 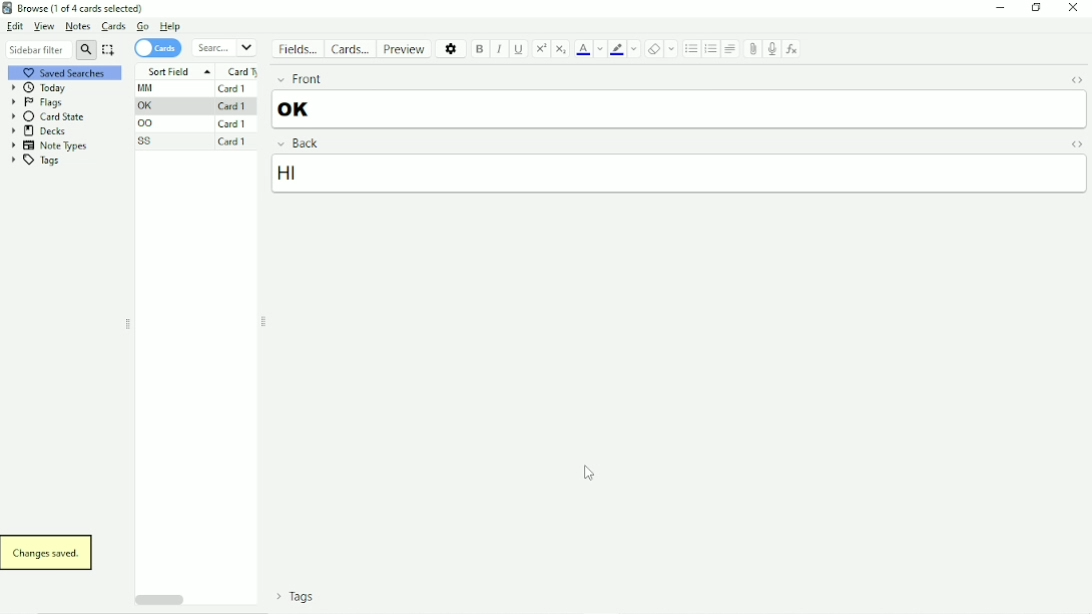 What do you see at coordinates (41, 161) in the screenshot?
I see `Tags` at bounding box center [41, 161].